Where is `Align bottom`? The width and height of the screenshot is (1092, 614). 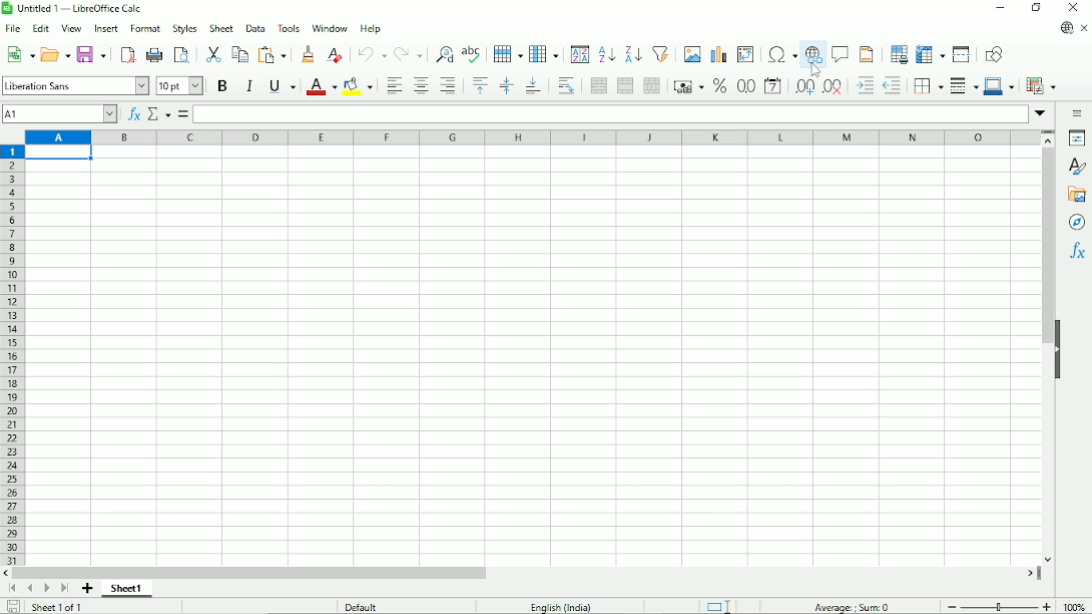 Align bottom is located at coordinates (532, 86).